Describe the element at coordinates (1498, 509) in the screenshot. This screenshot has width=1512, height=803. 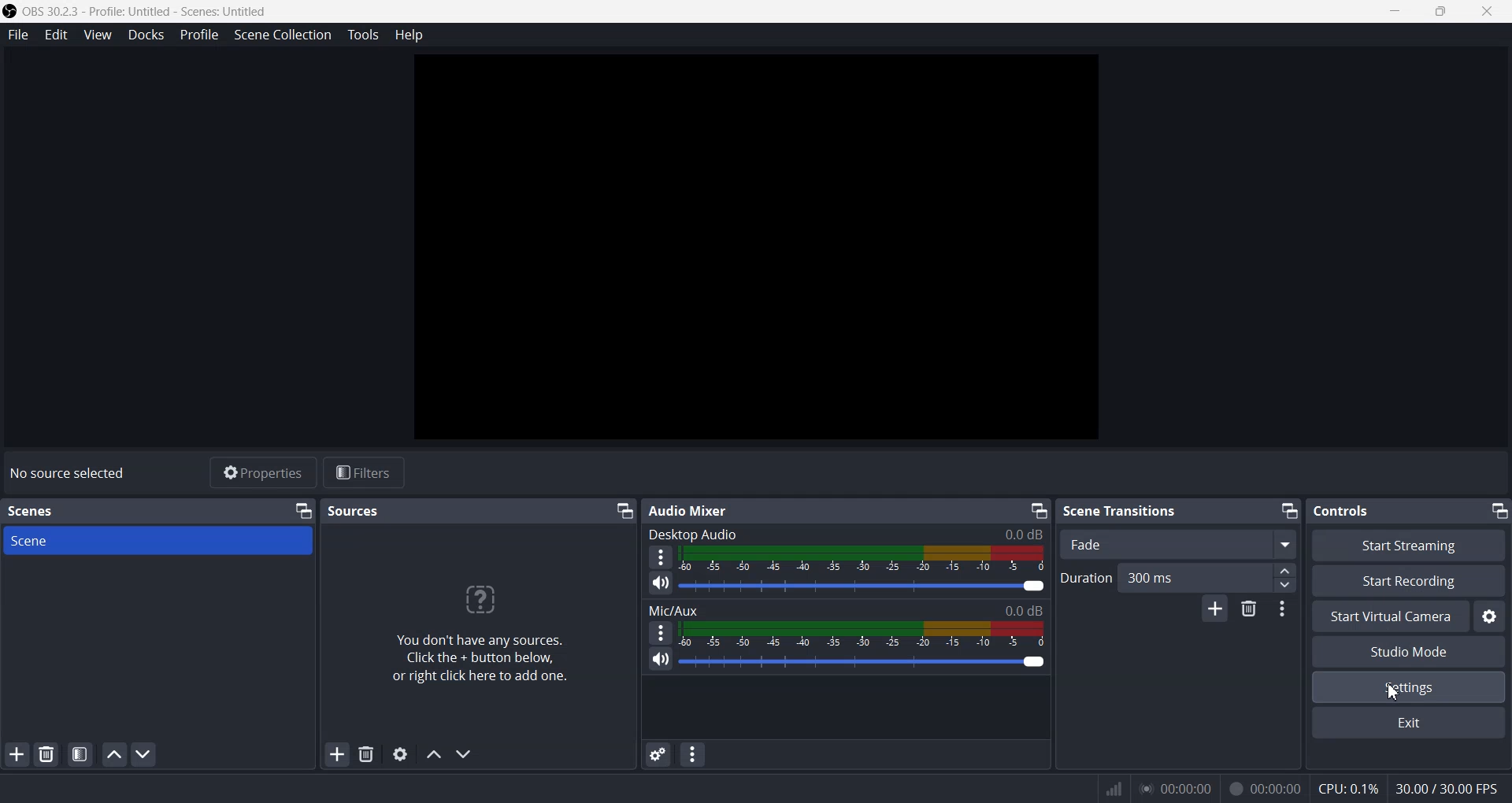
I see `Minimize` at that location.